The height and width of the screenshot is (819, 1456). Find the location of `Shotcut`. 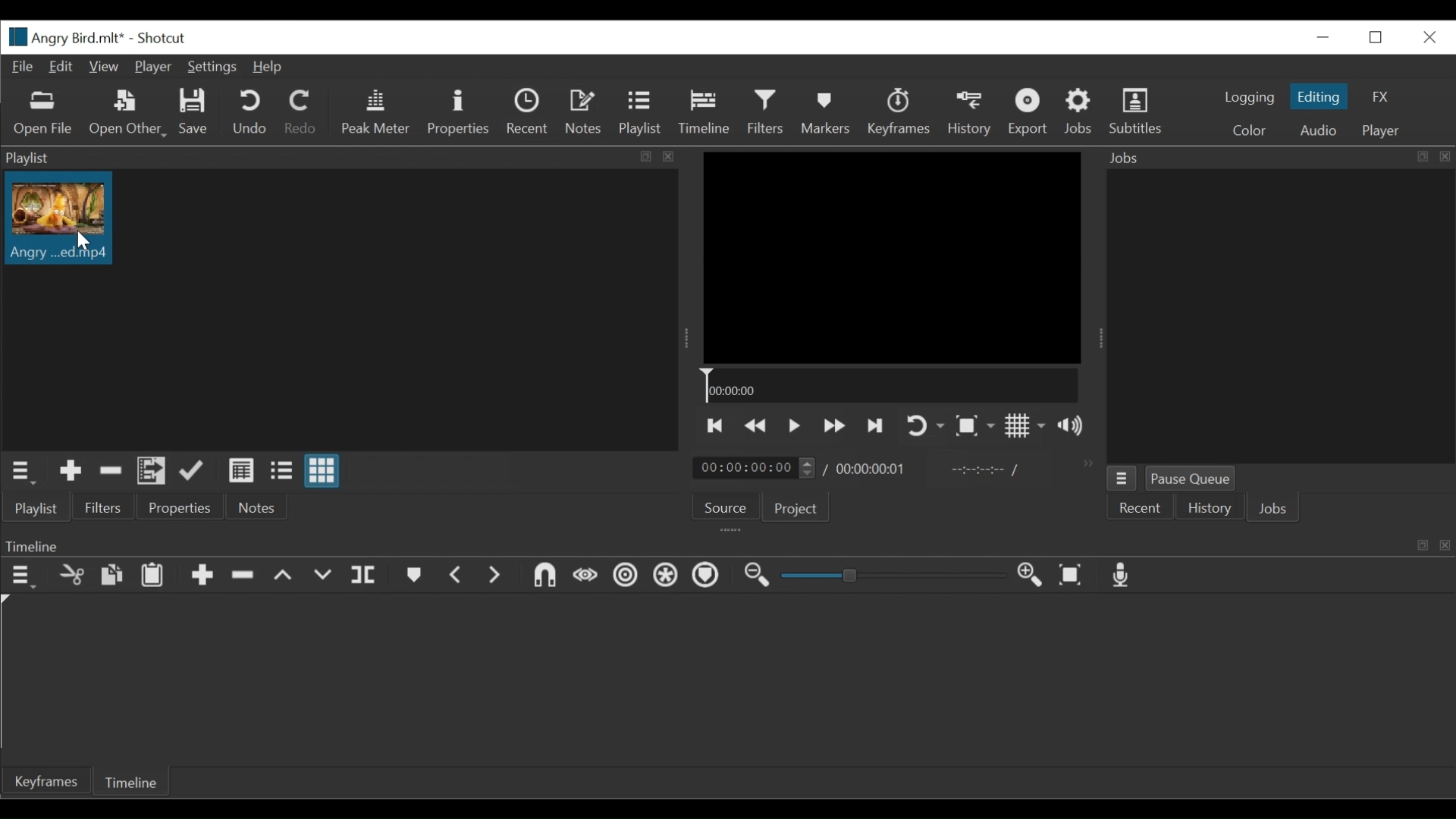

Shotcut is located at coordinates (161, 38).